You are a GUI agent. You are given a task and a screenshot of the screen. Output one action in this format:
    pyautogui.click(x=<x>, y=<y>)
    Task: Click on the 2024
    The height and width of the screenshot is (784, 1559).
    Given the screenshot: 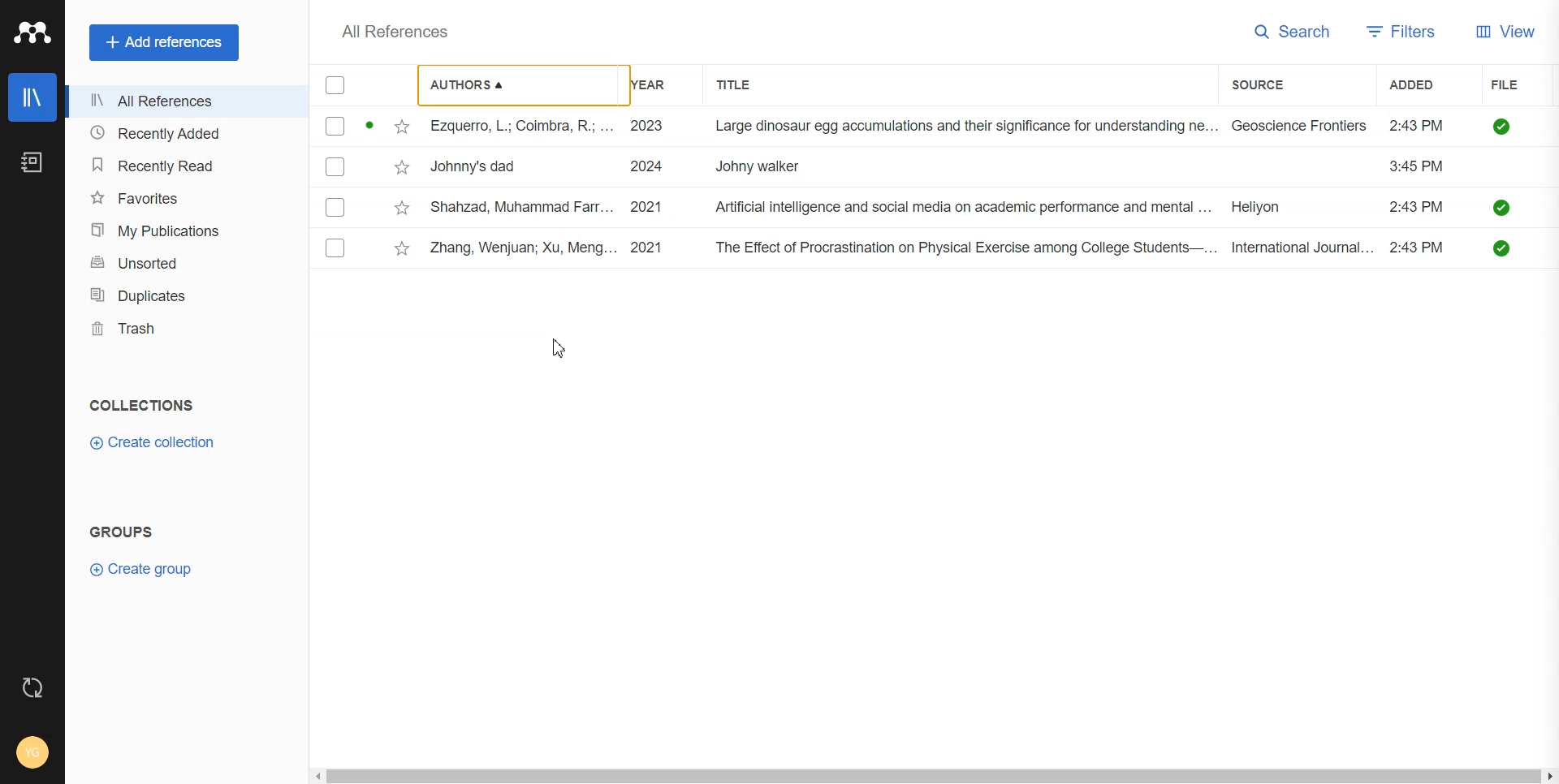 What is the action you would take?
    pyautogui.click(x=646, y=167)
    